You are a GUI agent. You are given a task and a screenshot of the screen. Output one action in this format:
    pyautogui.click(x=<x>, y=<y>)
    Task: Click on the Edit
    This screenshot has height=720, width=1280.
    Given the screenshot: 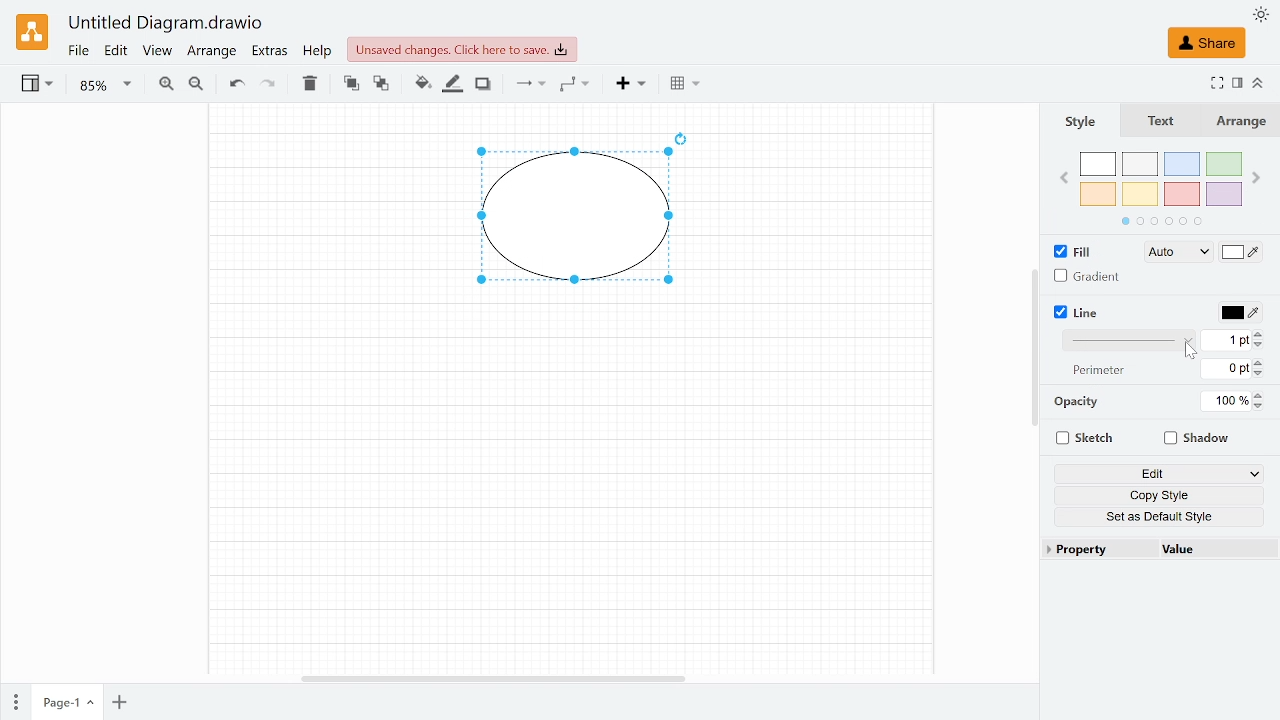 What is the action you would take?
    pyautogui.click(x=1158, y=474)
    